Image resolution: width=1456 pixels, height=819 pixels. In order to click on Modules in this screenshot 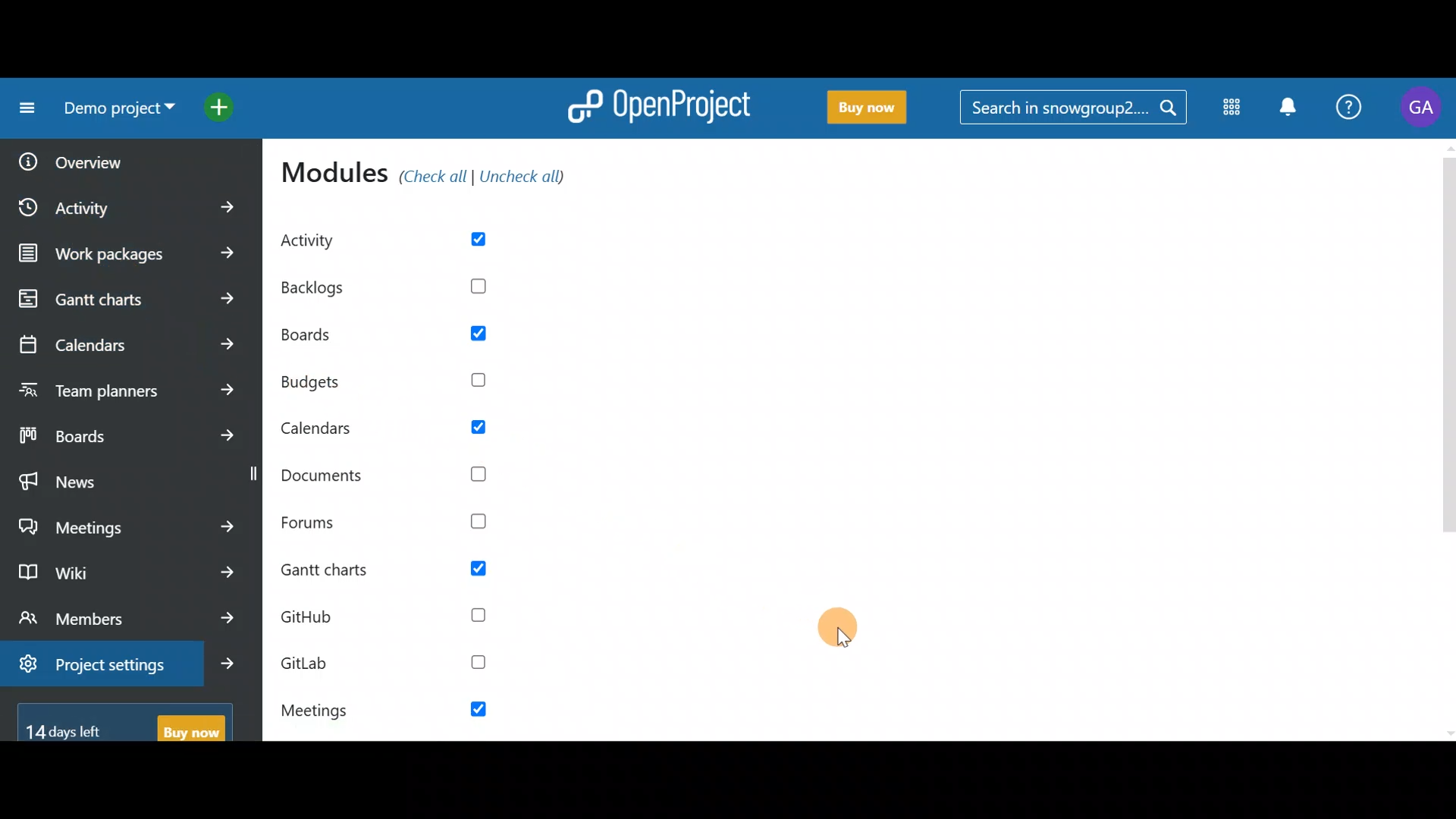, I will do `click(1234, 108)`.